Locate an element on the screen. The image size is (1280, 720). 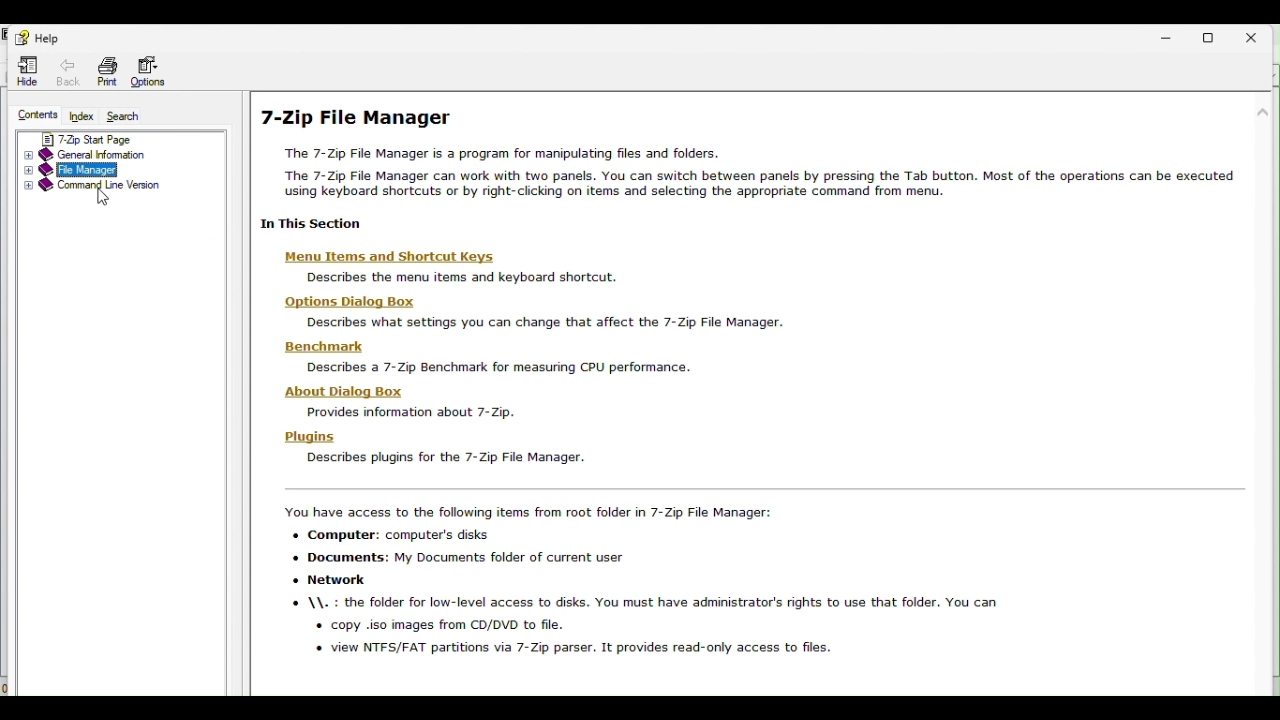
command line version is located at coordinates (91, 190).